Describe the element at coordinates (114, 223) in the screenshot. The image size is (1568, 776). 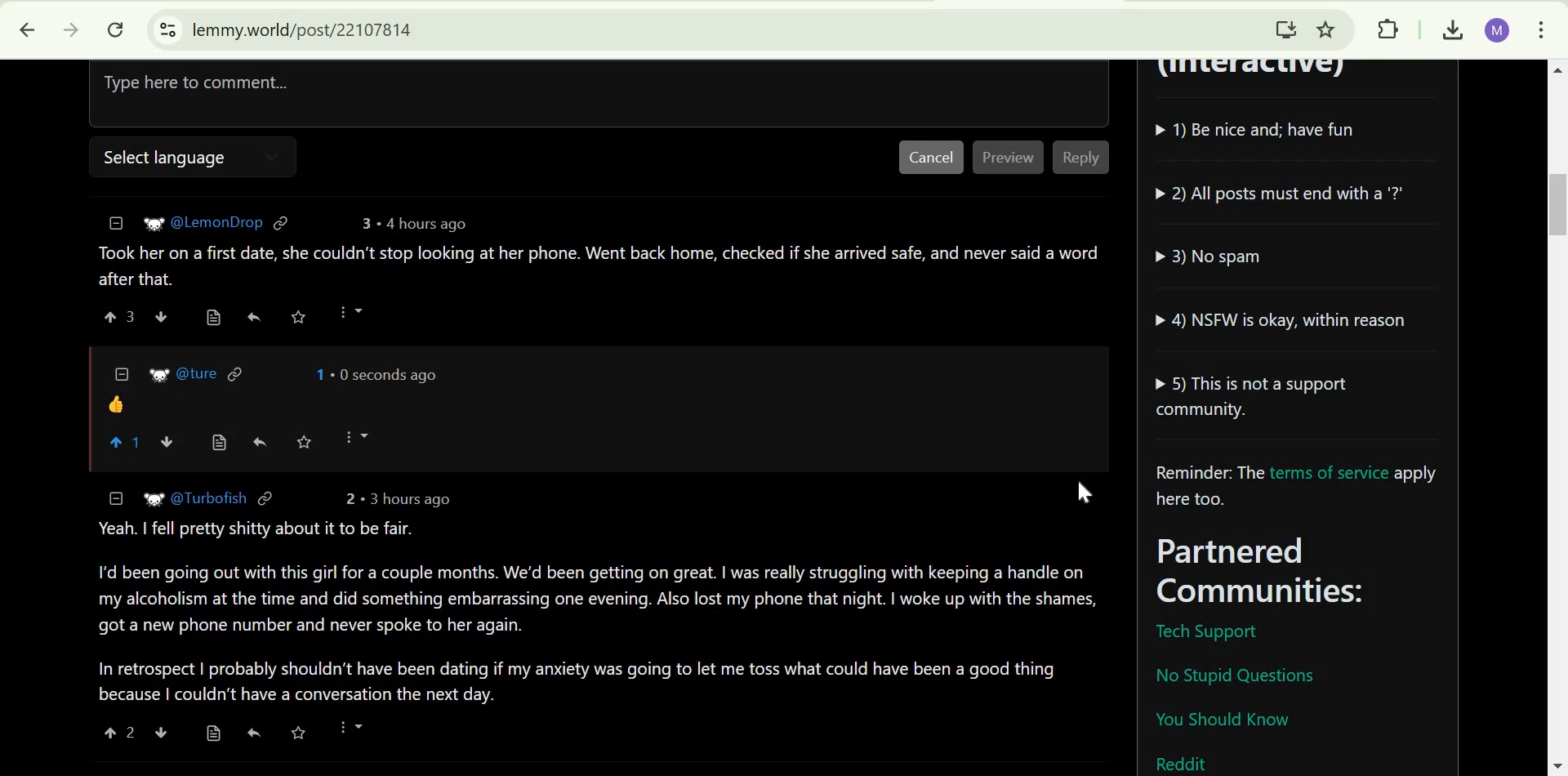
I see `collapse` at that location.